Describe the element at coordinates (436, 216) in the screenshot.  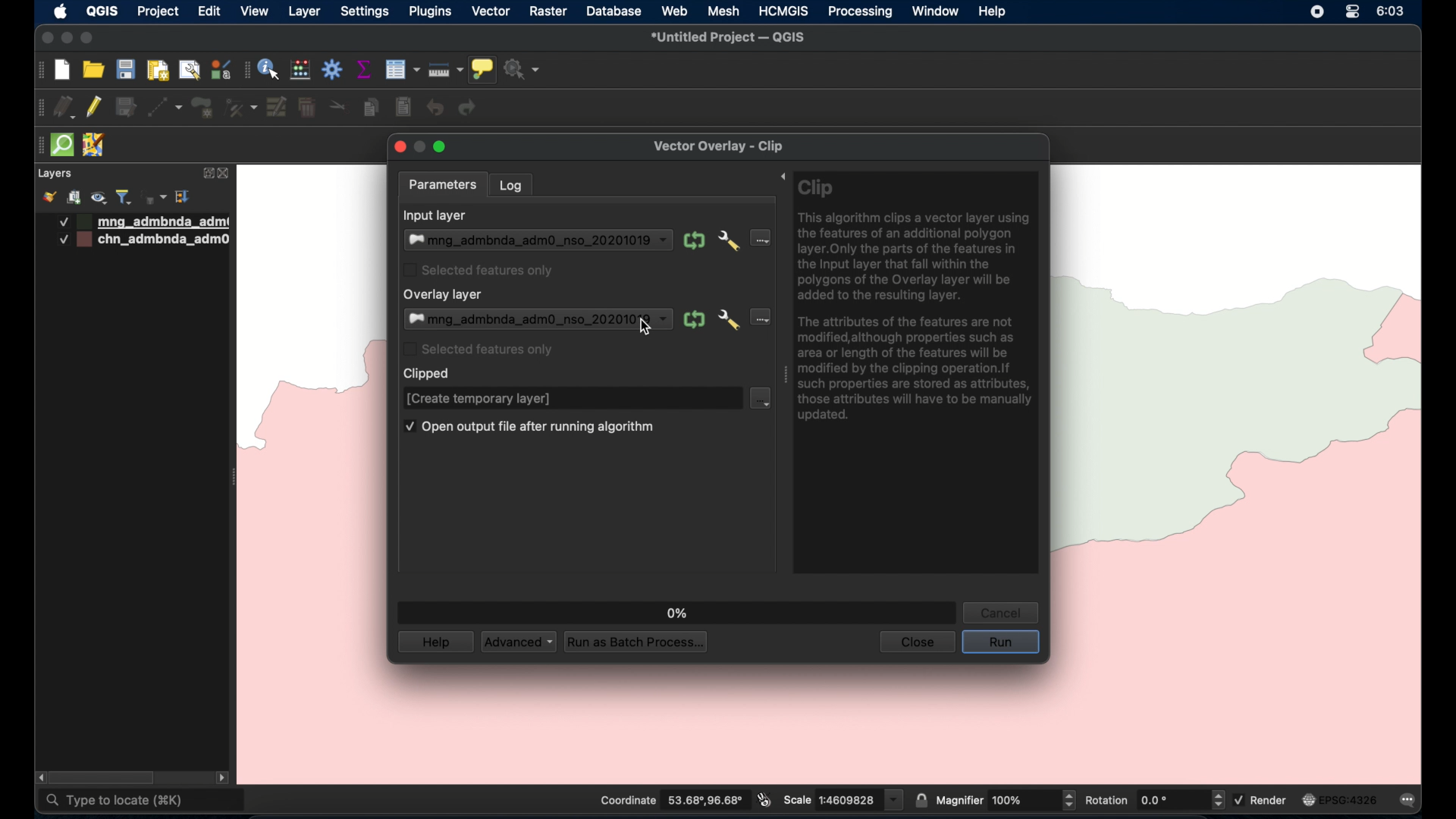
I see `input layer ` at that location.